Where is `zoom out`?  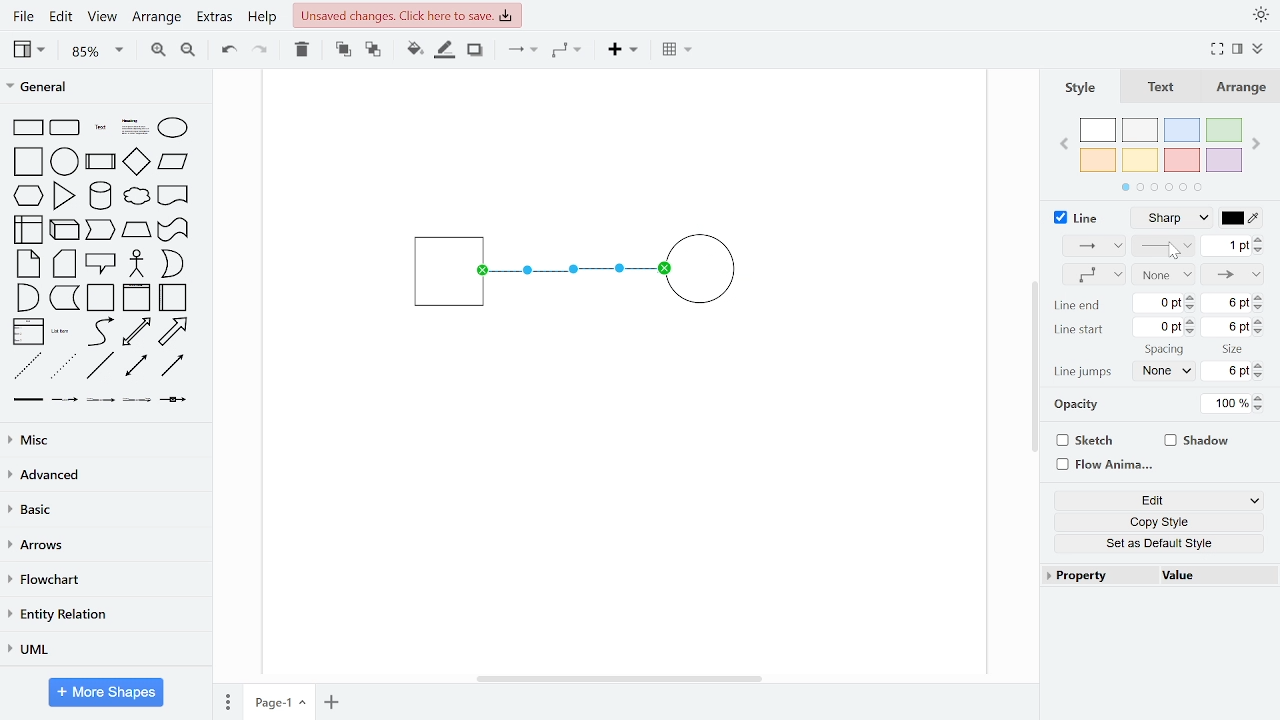 zoom out is located at coordinates (187, 49).